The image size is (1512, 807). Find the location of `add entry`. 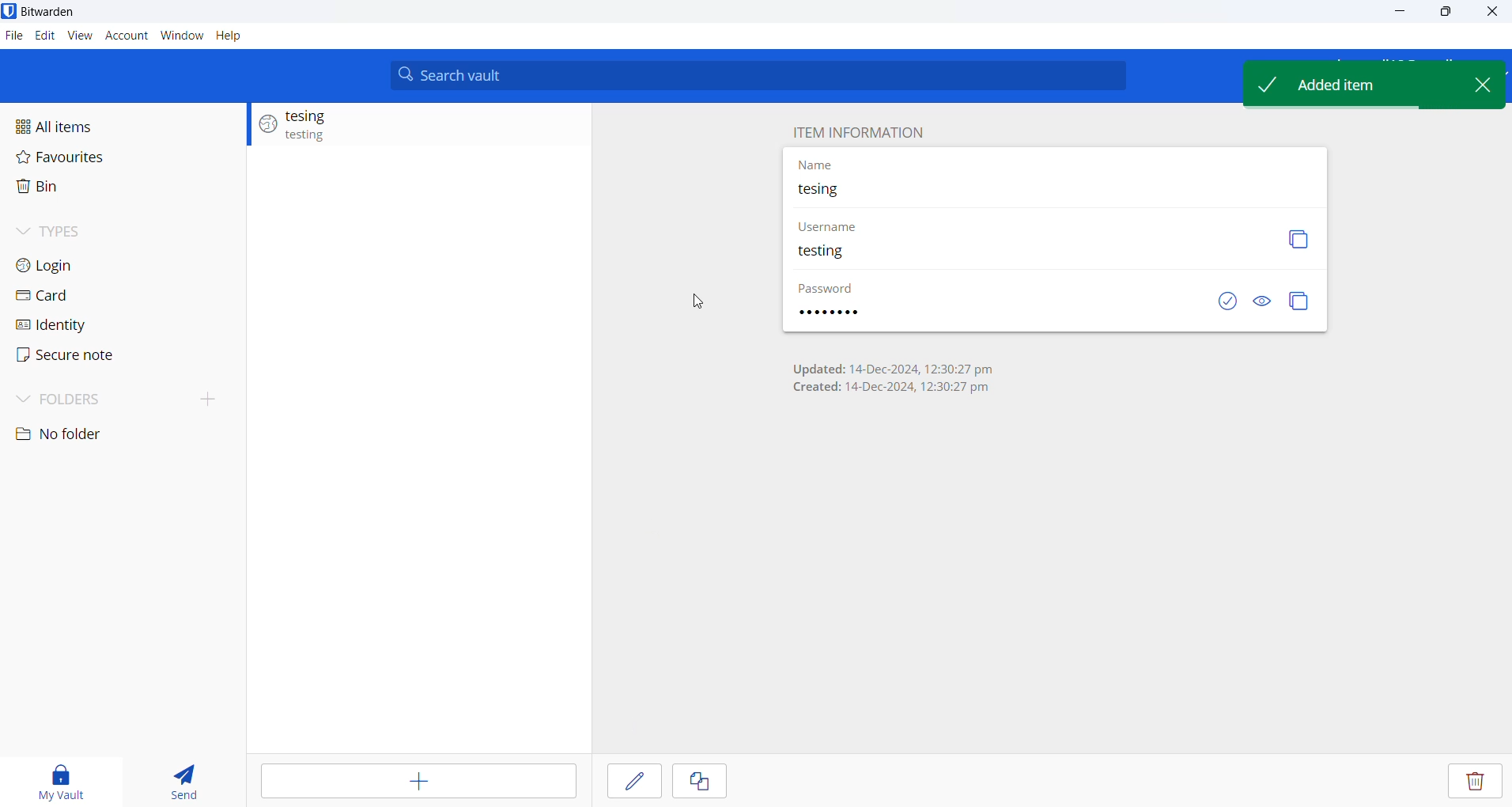

add entry is located at coordinates (421, 782).